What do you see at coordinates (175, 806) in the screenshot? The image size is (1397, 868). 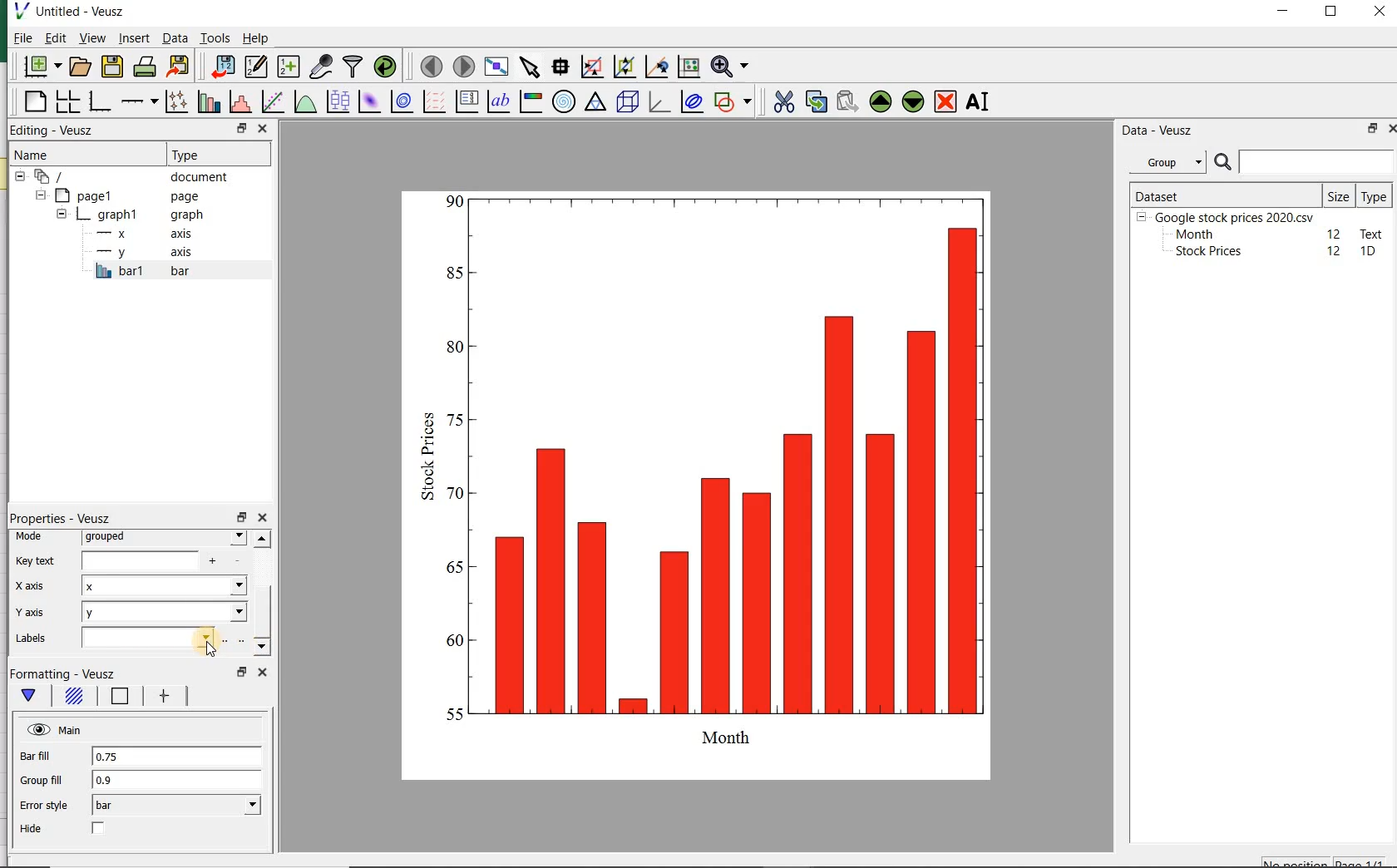 I see `bar` at bounding box center [175, 806].